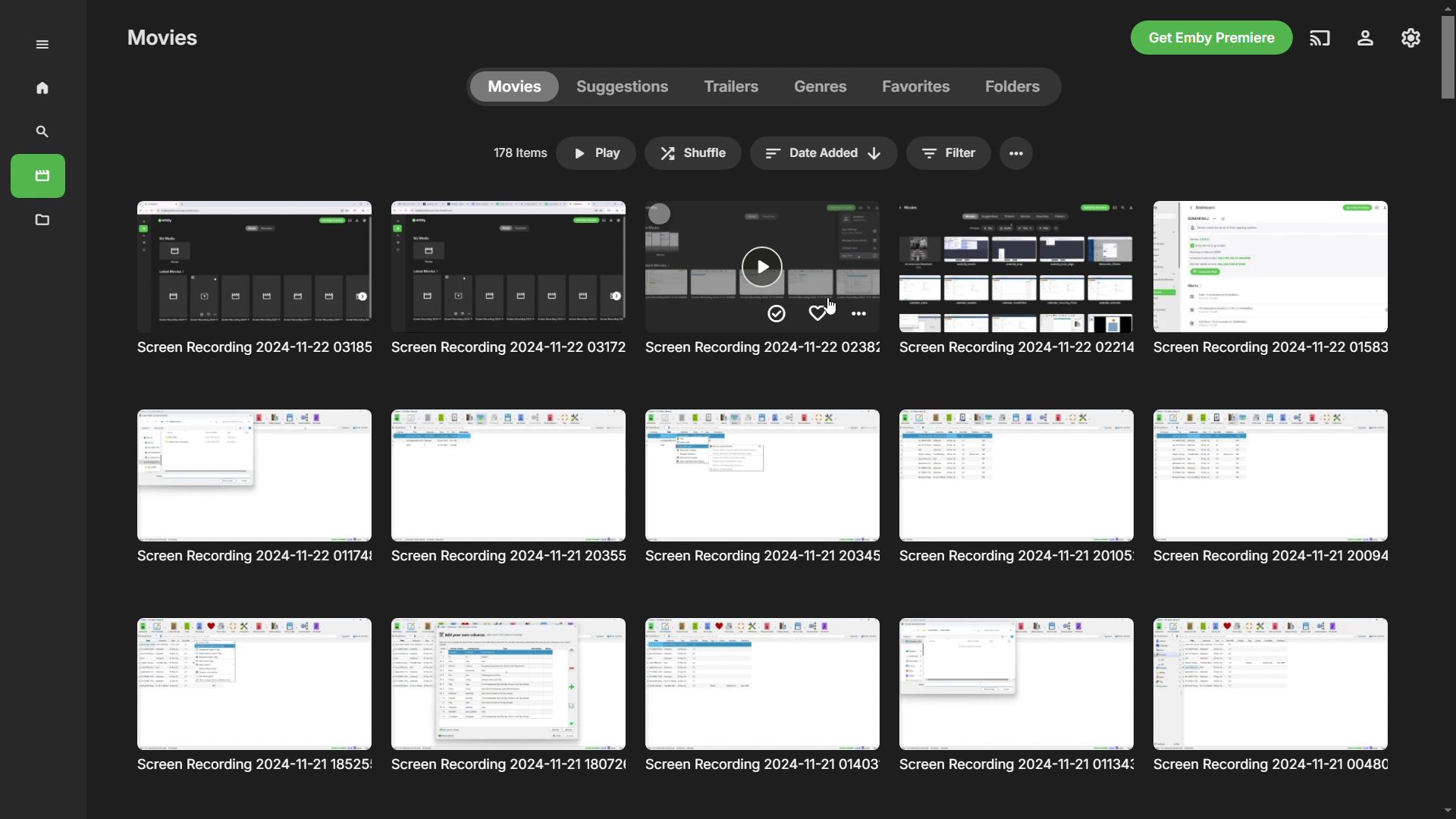  What do you see at coordinates (44, 219) in the screenshot?
I see `metadata manager` at bounding box center [44, 219].